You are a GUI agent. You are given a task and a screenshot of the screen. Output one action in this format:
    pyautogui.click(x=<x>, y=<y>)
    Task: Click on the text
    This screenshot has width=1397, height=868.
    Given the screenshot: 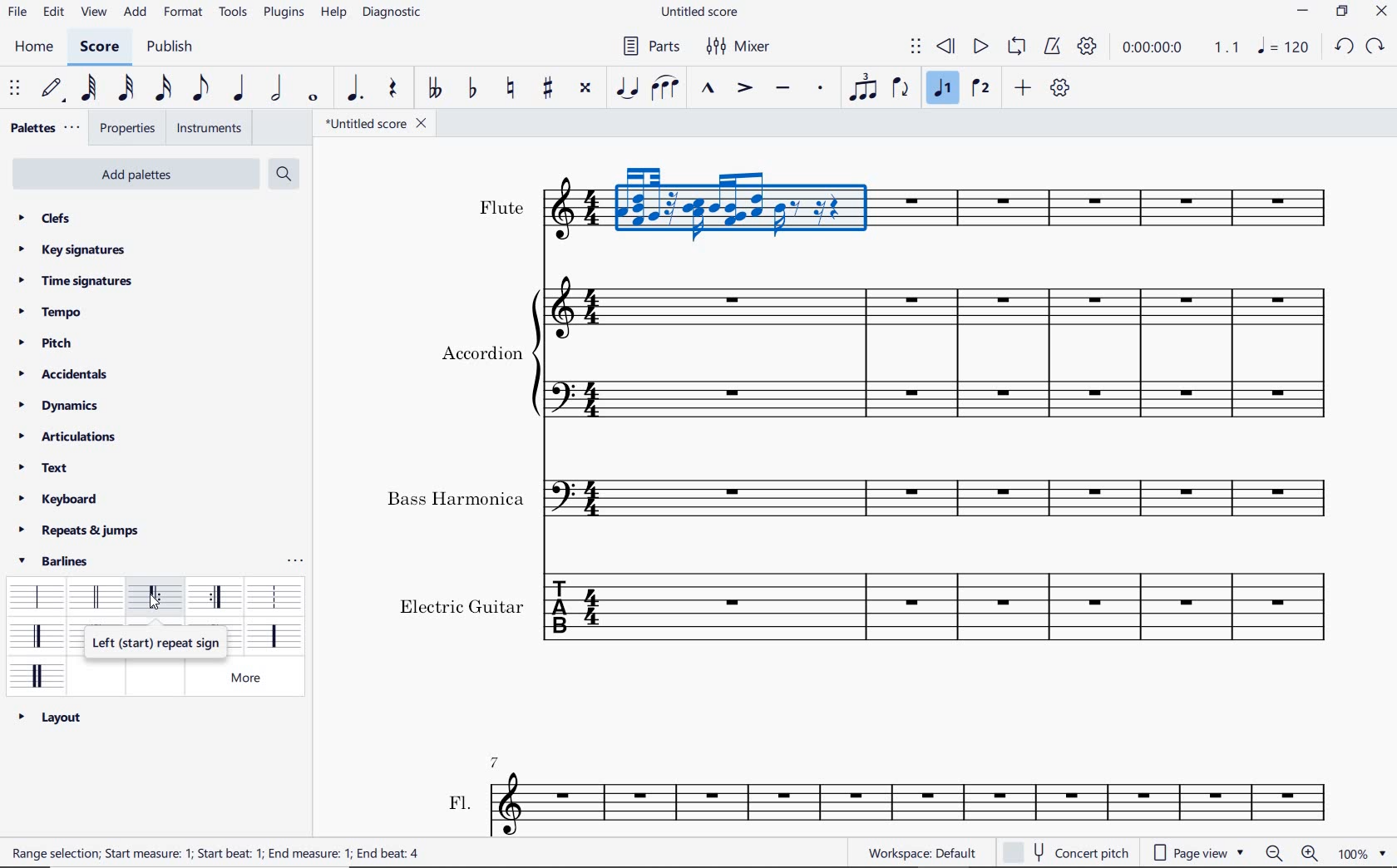 What is the action you would take?
    pyautogui.click(x=460, y=801)
    